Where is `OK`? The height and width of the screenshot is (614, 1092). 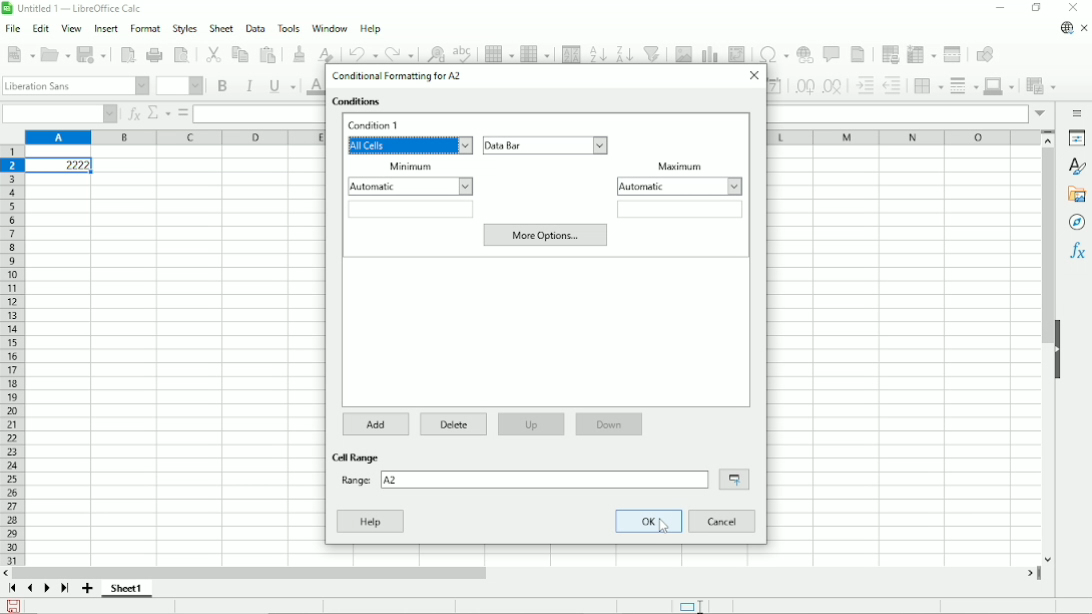 OK is located at coordinates (649, 522).